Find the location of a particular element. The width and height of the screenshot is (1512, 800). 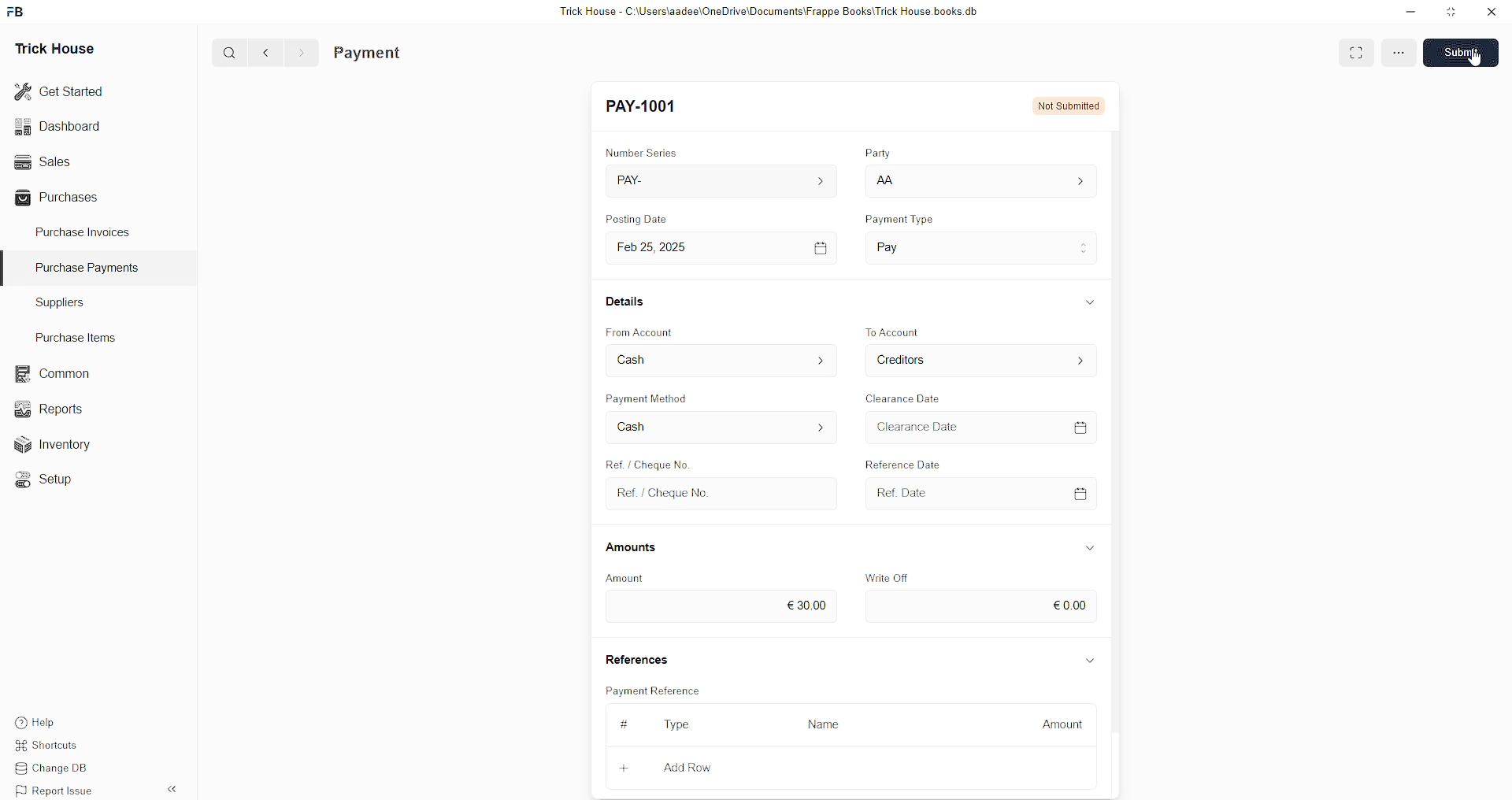

Sales is located at coordinates (41, 160).